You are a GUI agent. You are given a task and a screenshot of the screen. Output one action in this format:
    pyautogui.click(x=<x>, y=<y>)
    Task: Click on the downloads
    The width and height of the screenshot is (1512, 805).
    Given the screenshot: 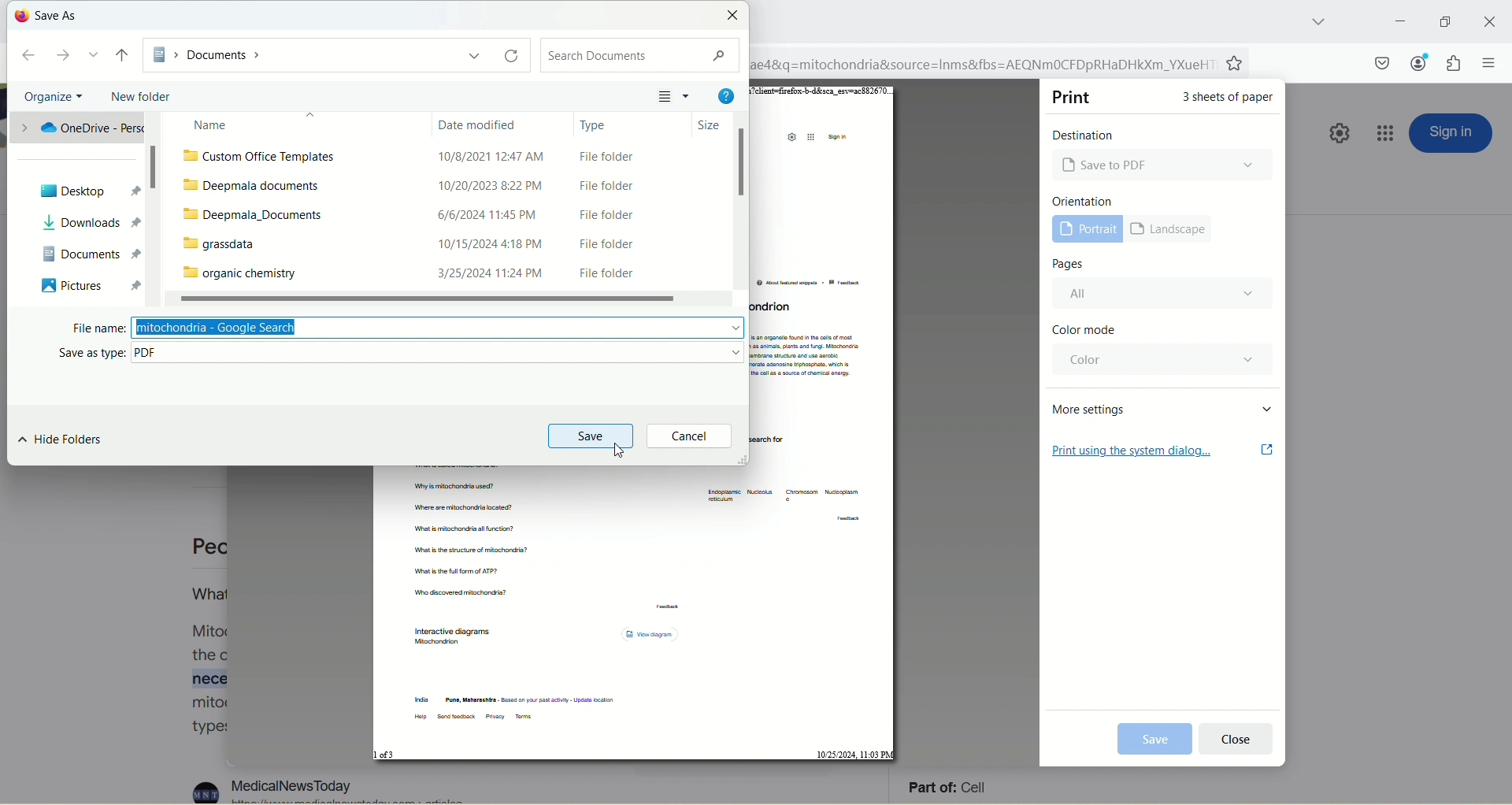 What is the action you would take?
    pyautogui.click(x=88, y=222)
    